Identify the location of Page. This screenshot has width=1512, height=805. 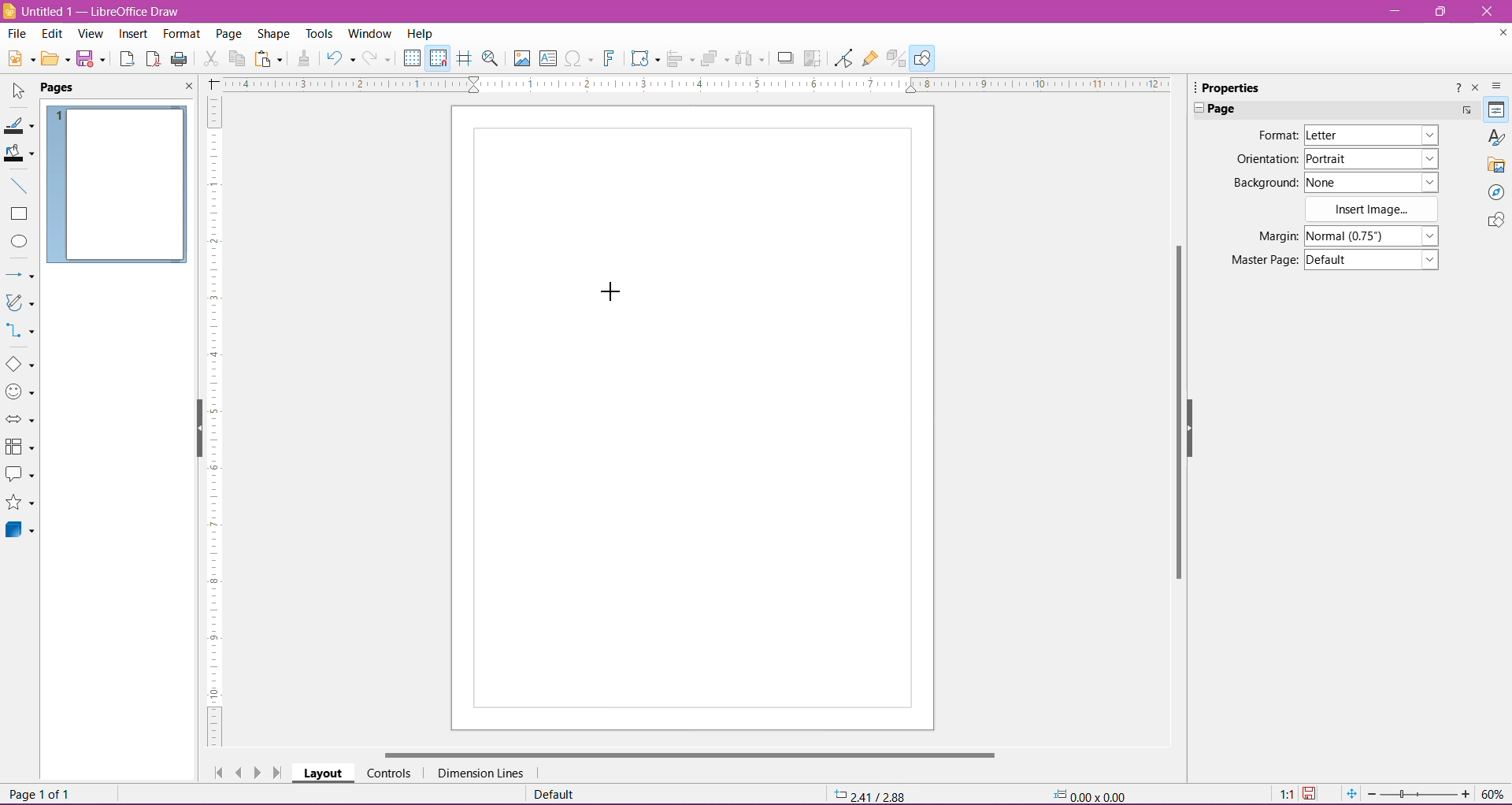
(228, 36).